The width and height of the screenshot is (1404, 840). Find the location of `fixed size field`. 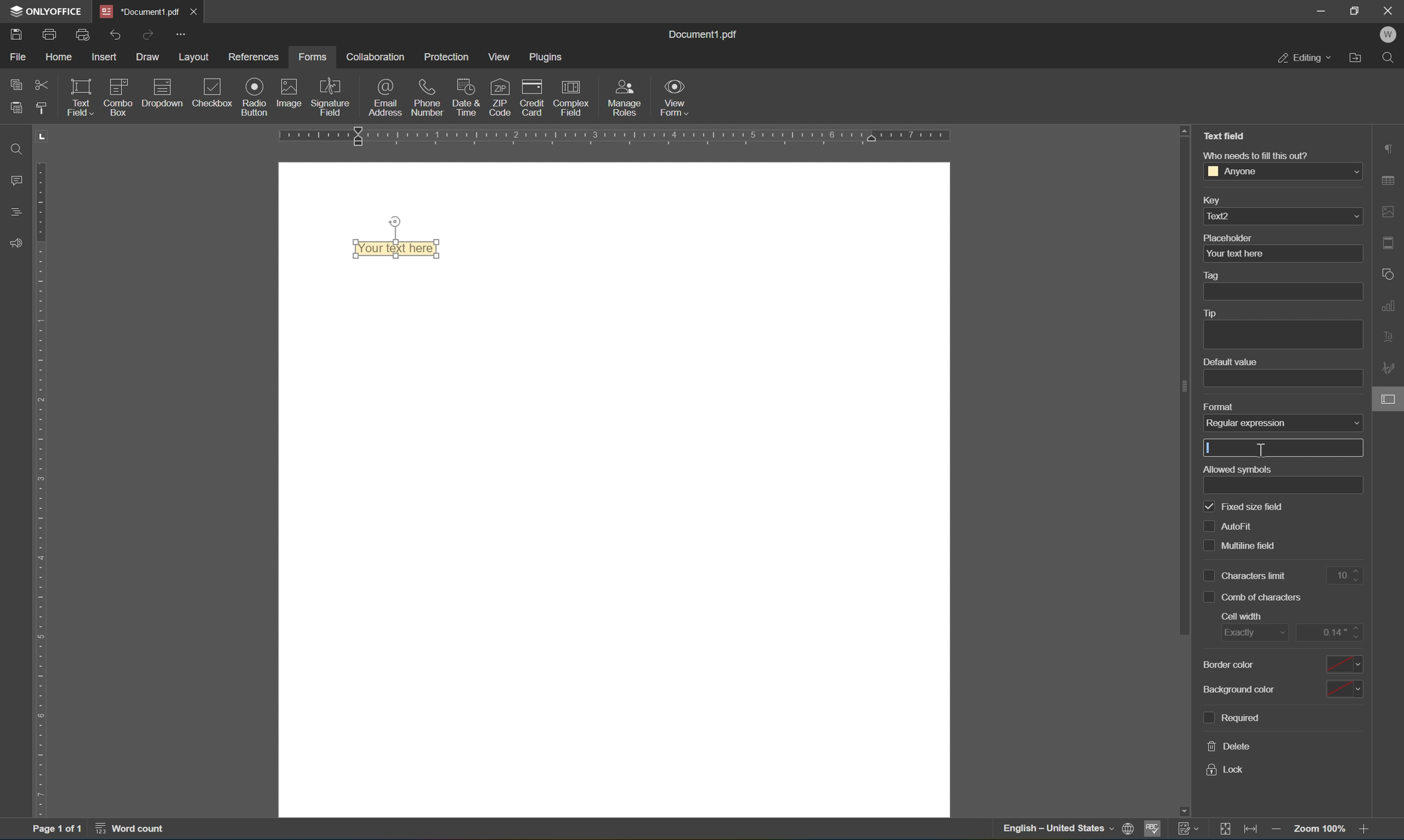

fixed size field is located at coordinates (1243, 507).